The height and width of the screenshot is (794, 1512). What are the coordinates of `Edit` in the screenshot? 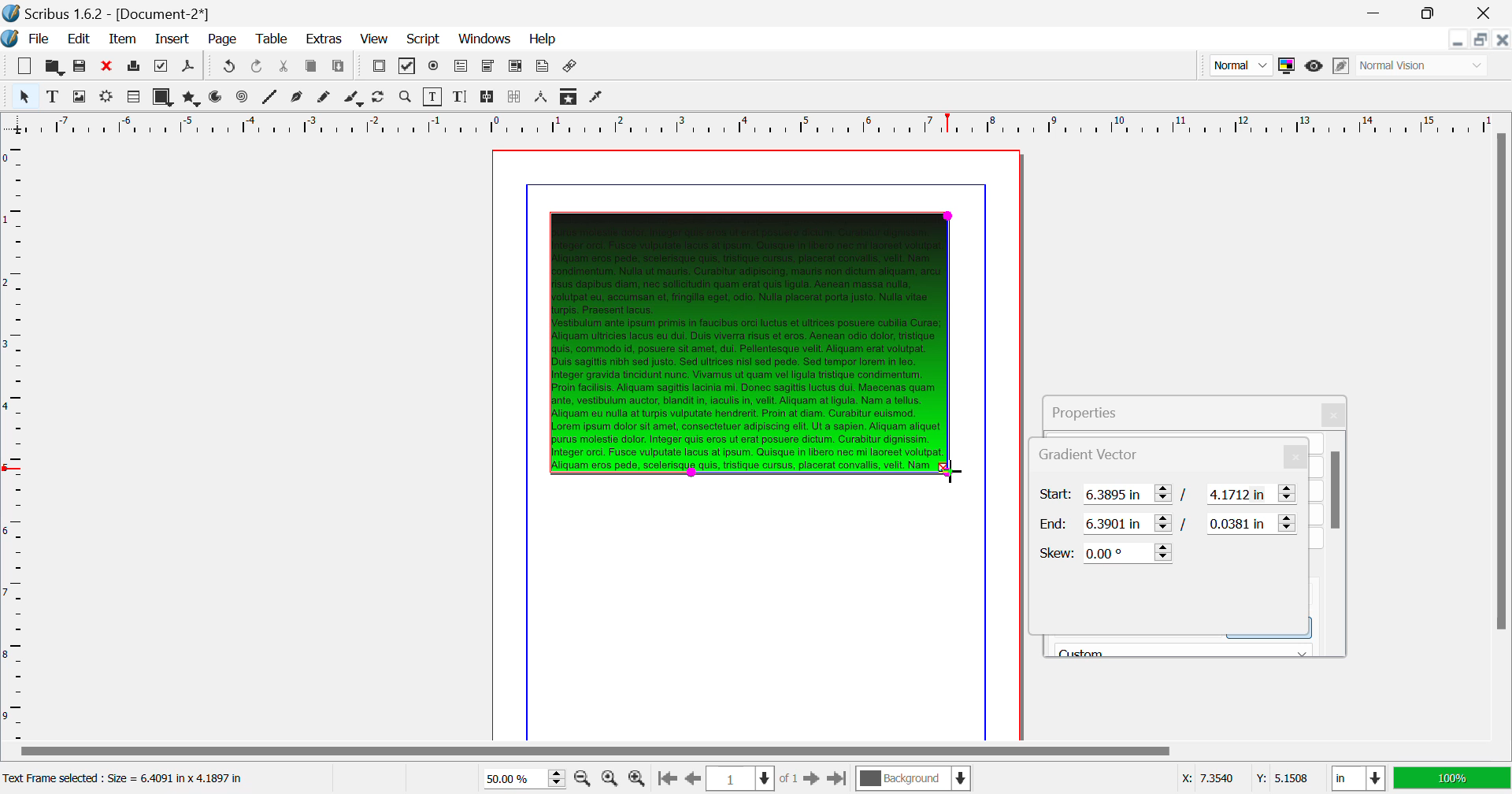 It's located at (76, 39).